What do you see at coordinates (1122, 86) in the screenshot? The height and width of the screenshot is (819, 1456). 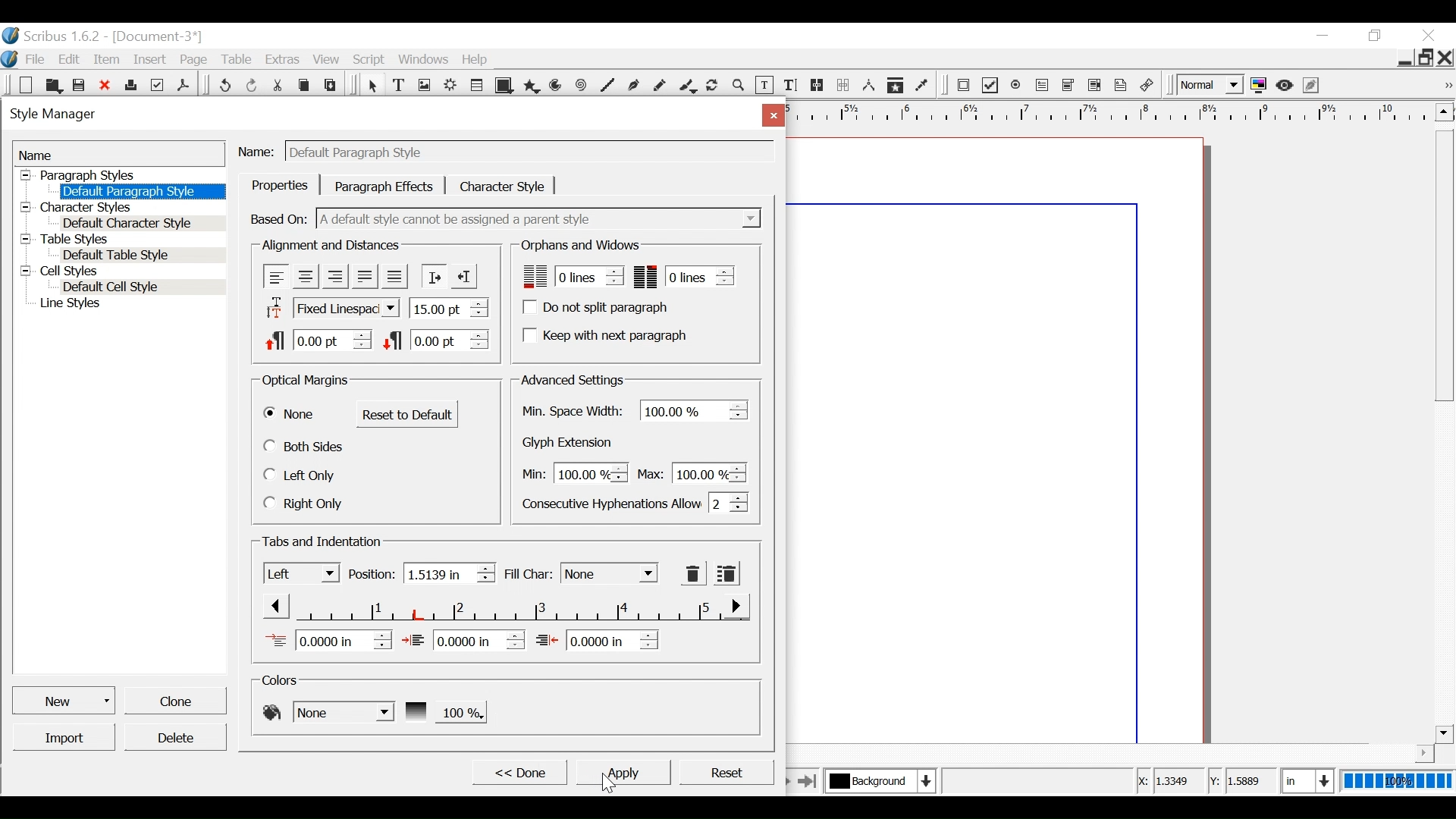 I see `Text Annotation` at bounding box center [1122, 86].